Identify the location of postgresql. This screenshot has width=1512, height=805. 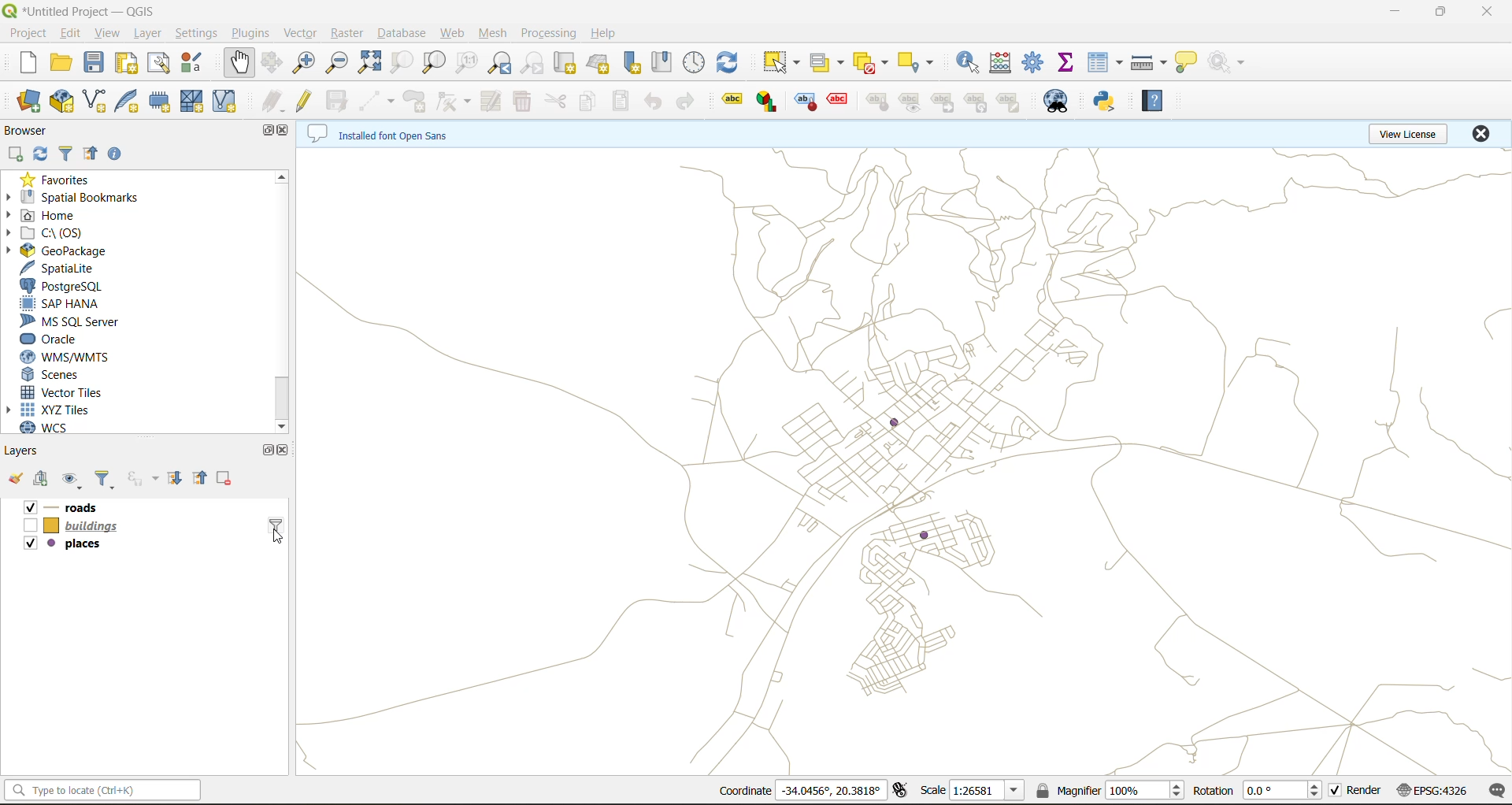
(67, 287).